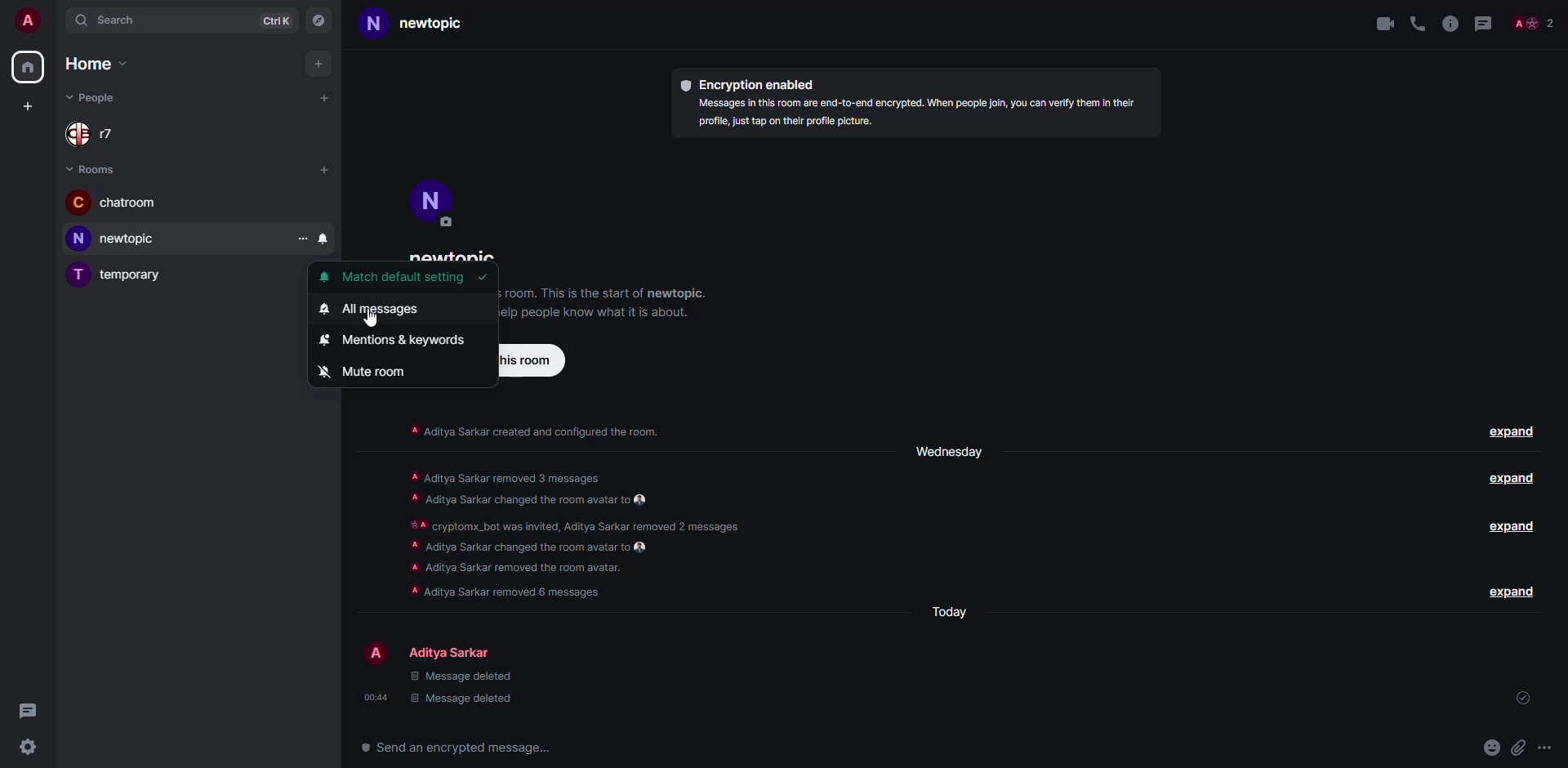 Image resolution: width=1568 pixels, height=768 pixels. What do you see at coordinates (320, 22) in the screenshot?
I see `navigator` at bounding box center [320, 22].